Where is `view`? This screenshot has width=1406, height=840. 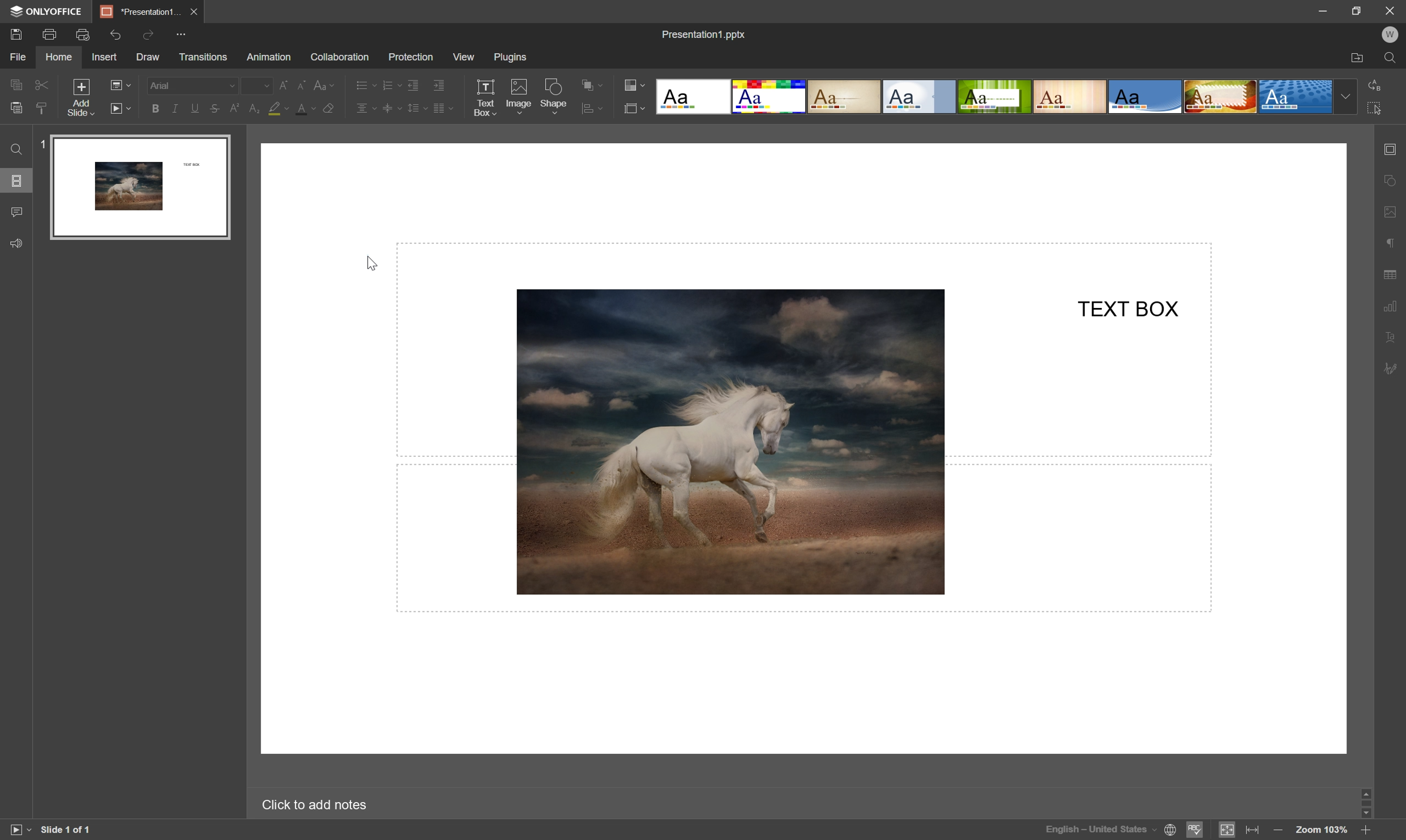
view is located at coordinates (462, 57).